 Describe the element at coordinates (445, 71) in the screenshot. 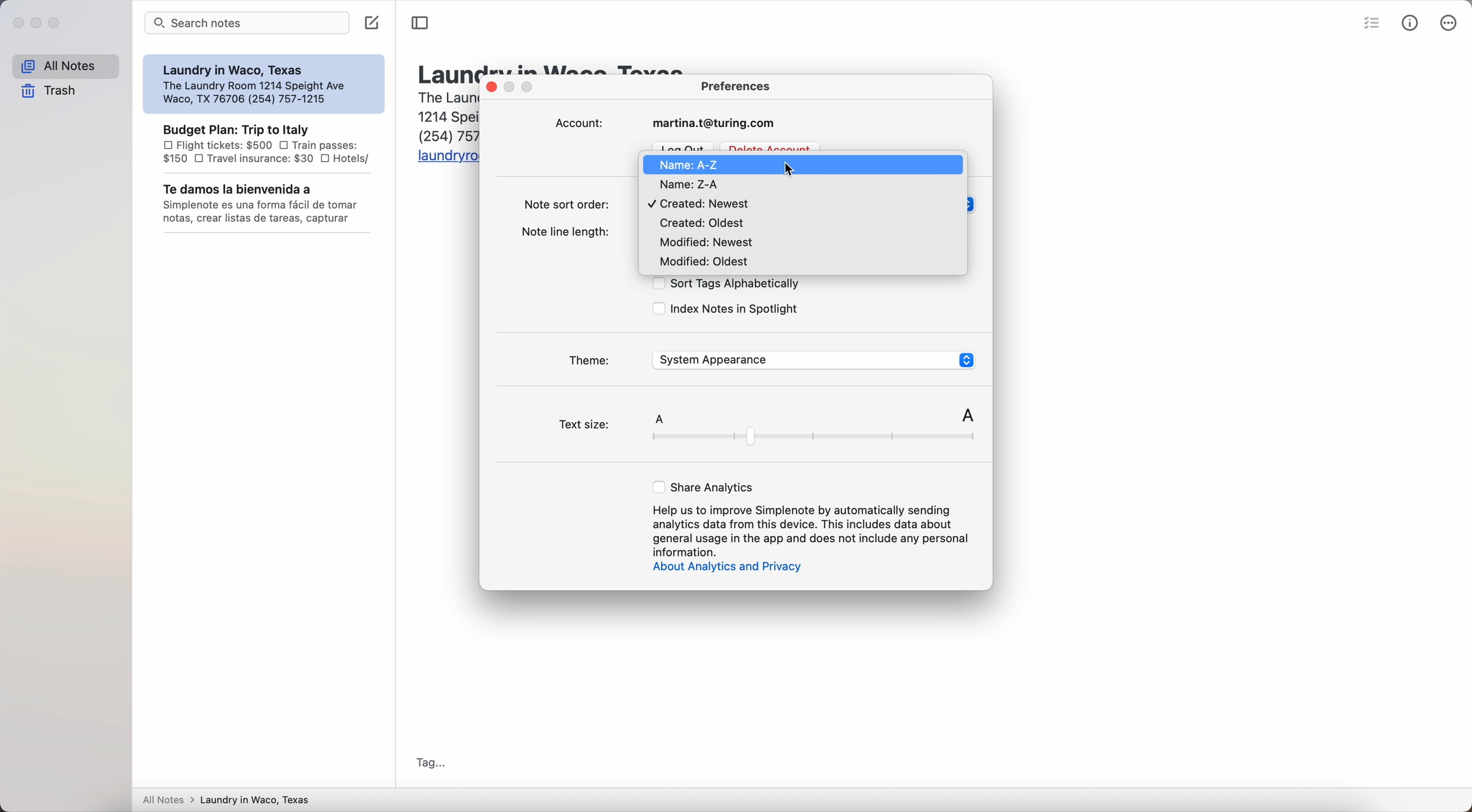

I see `title: Laundry in Waco, Texas` at that location.